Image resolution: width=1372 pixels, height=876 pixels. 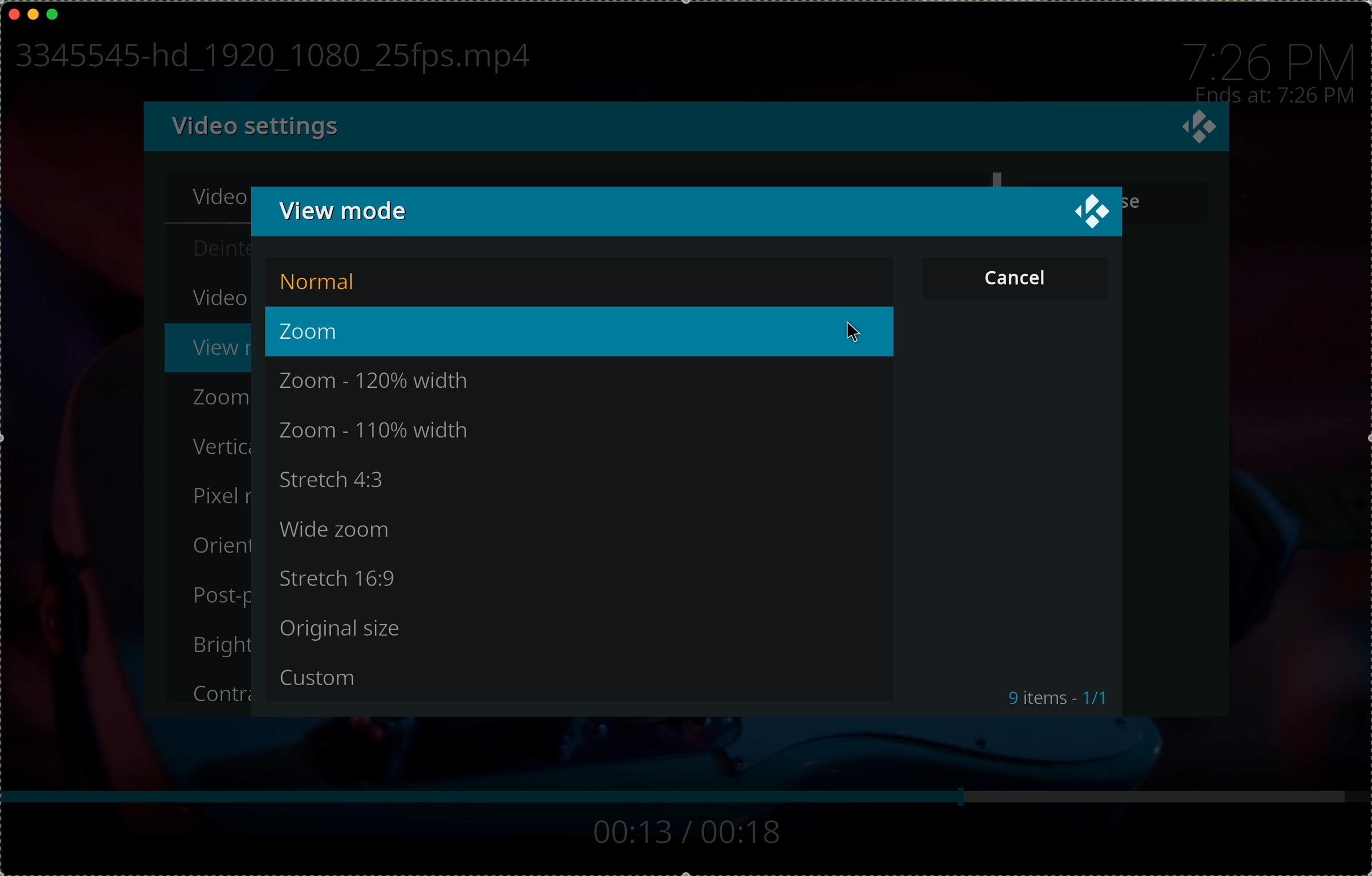 I want to click on zoom - 120% width, so click(x=375, y=383).